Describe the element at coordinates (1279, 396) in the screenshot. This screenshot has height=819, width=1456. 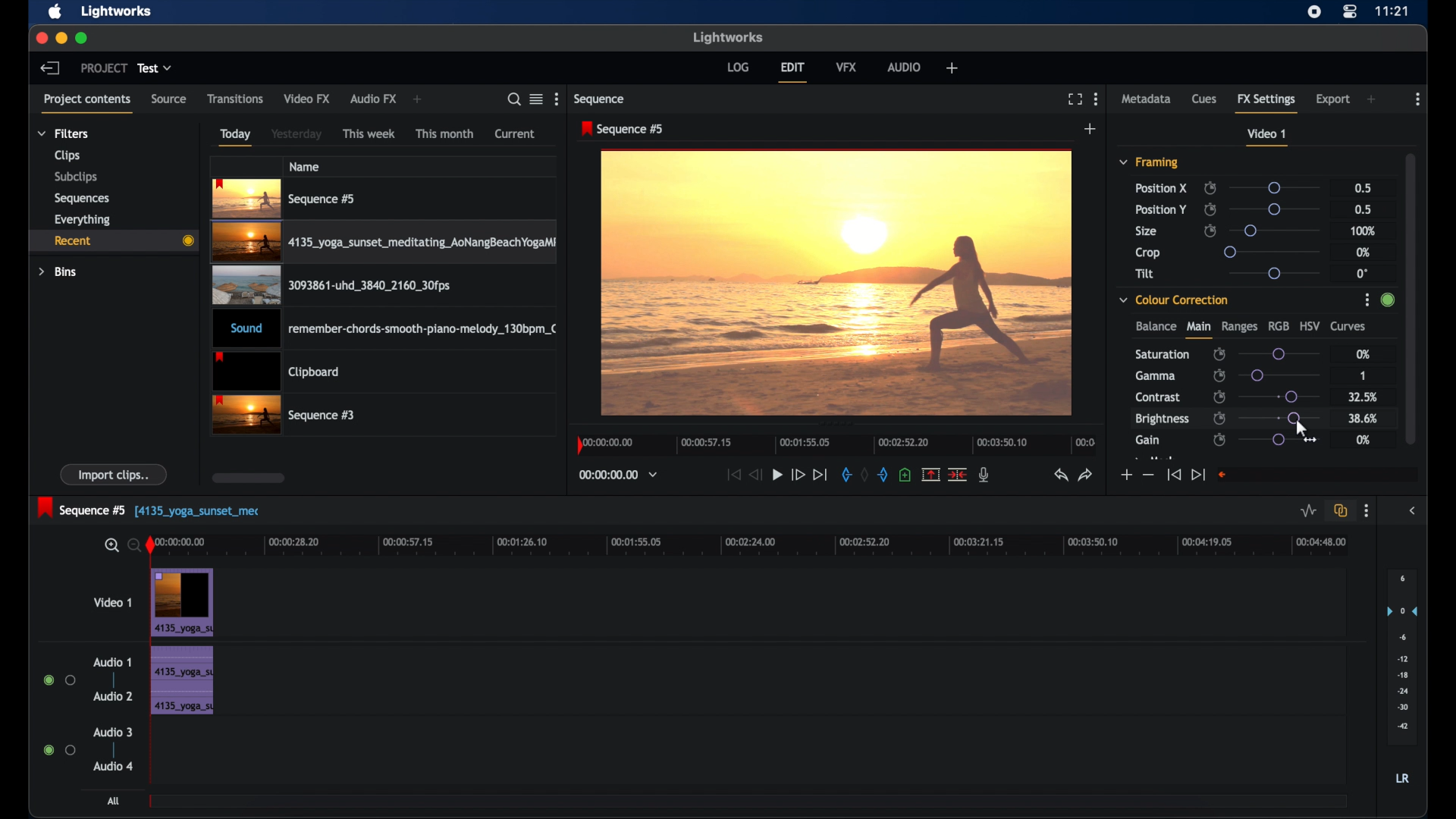
I see `slider` at that location.